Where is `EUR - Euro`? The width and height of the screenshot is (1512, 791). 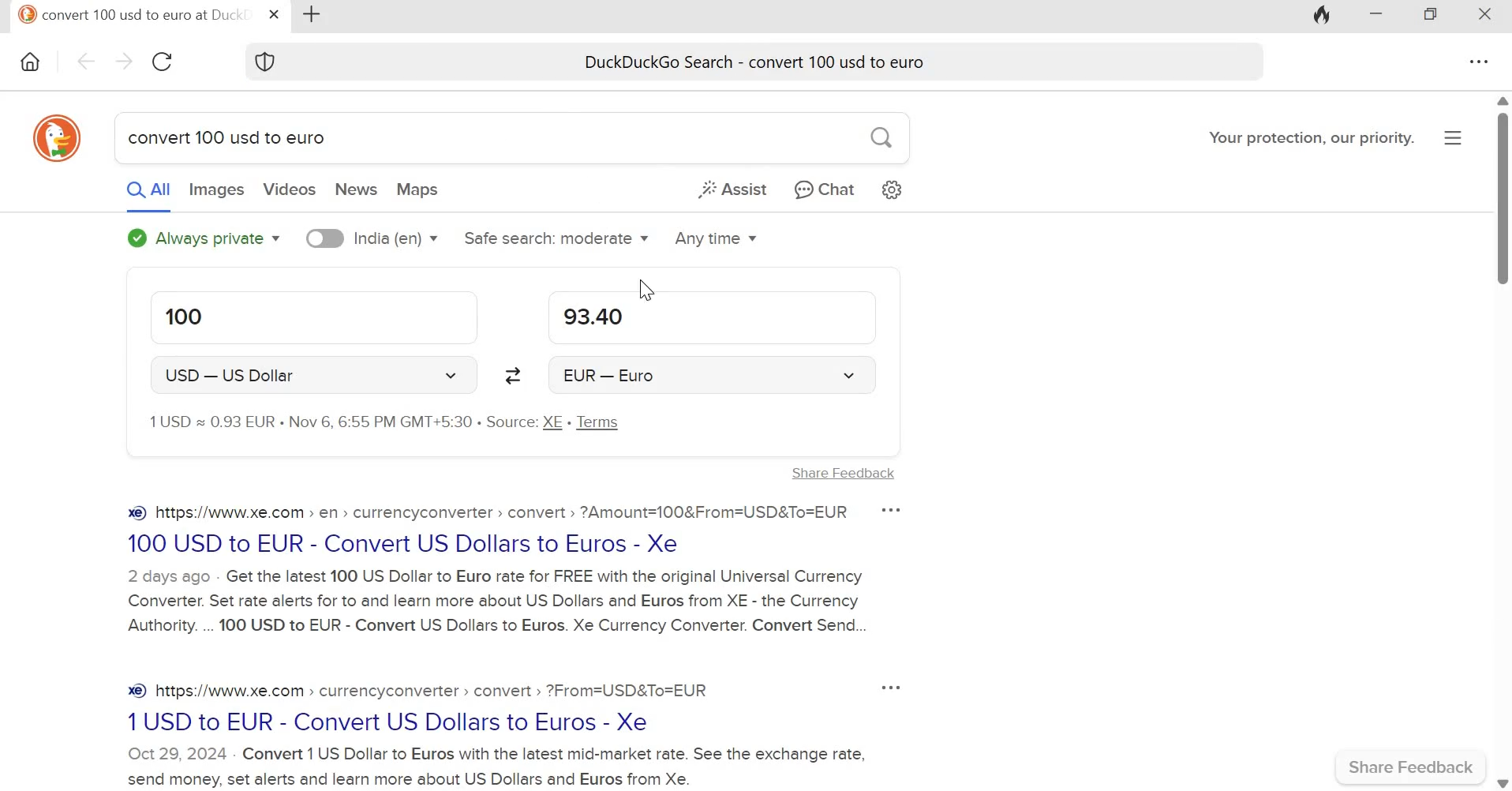 EUR - Euro is located at coordinates (715, 374).